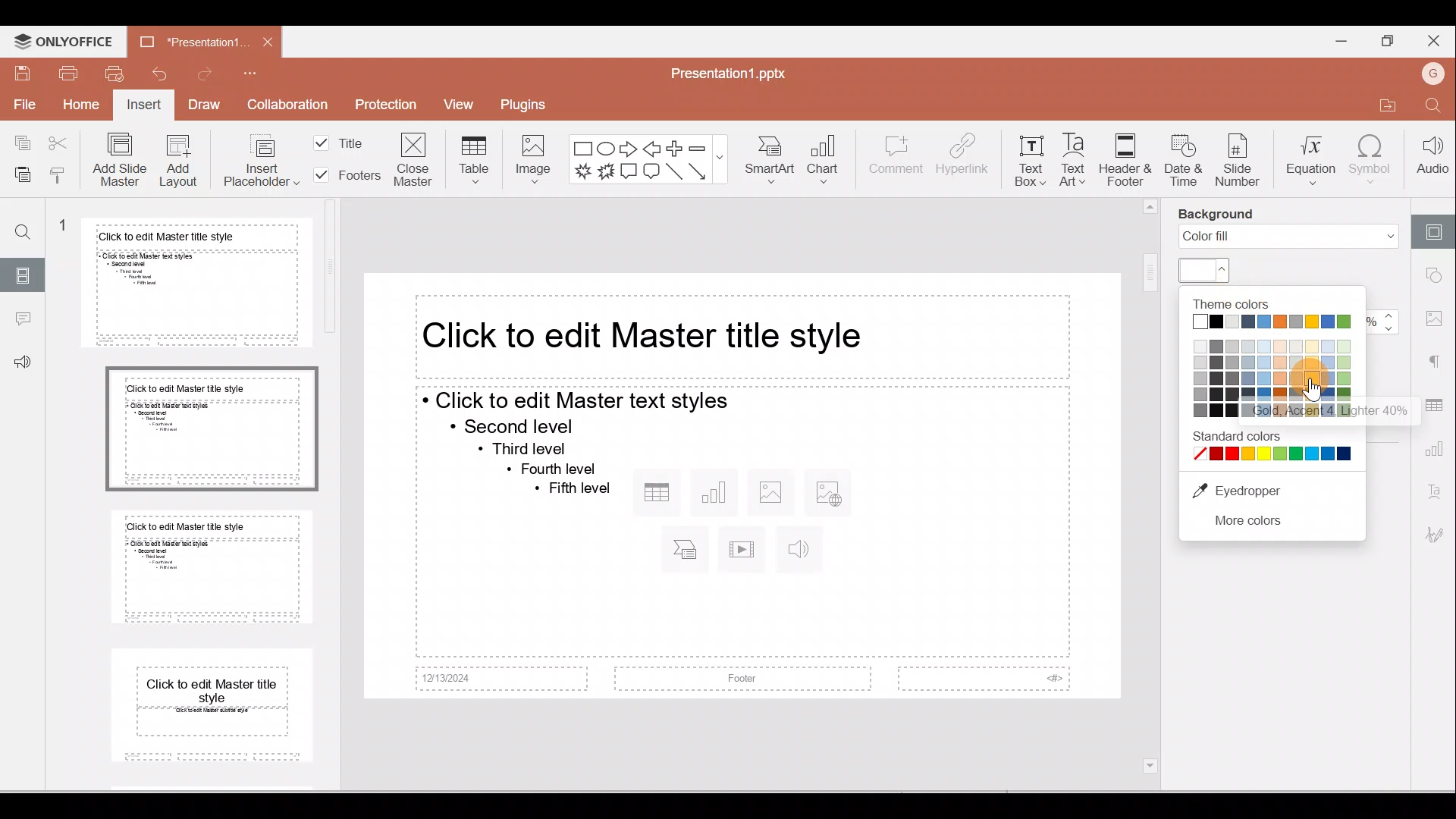 This screenshot has width=1456, height=819. I want to click on Colour fill, so click(1288, 237).